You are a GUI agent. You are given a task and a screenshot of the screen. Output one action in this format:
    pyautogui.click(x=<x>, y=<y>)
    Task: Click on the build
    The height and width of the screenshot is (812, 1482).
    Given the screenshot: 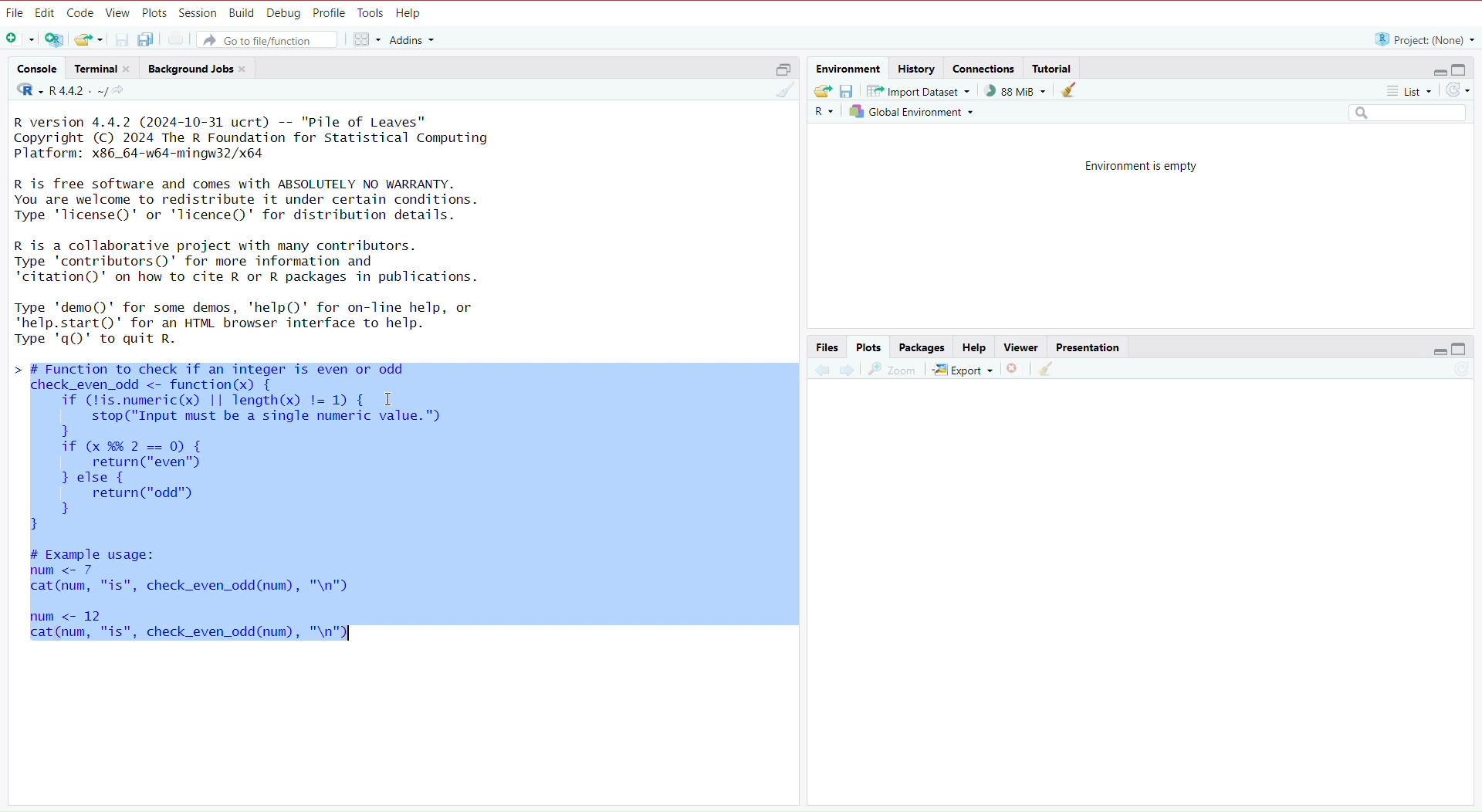 What is the action you would take?
    pyautogui.click(x=242, y=14)
    